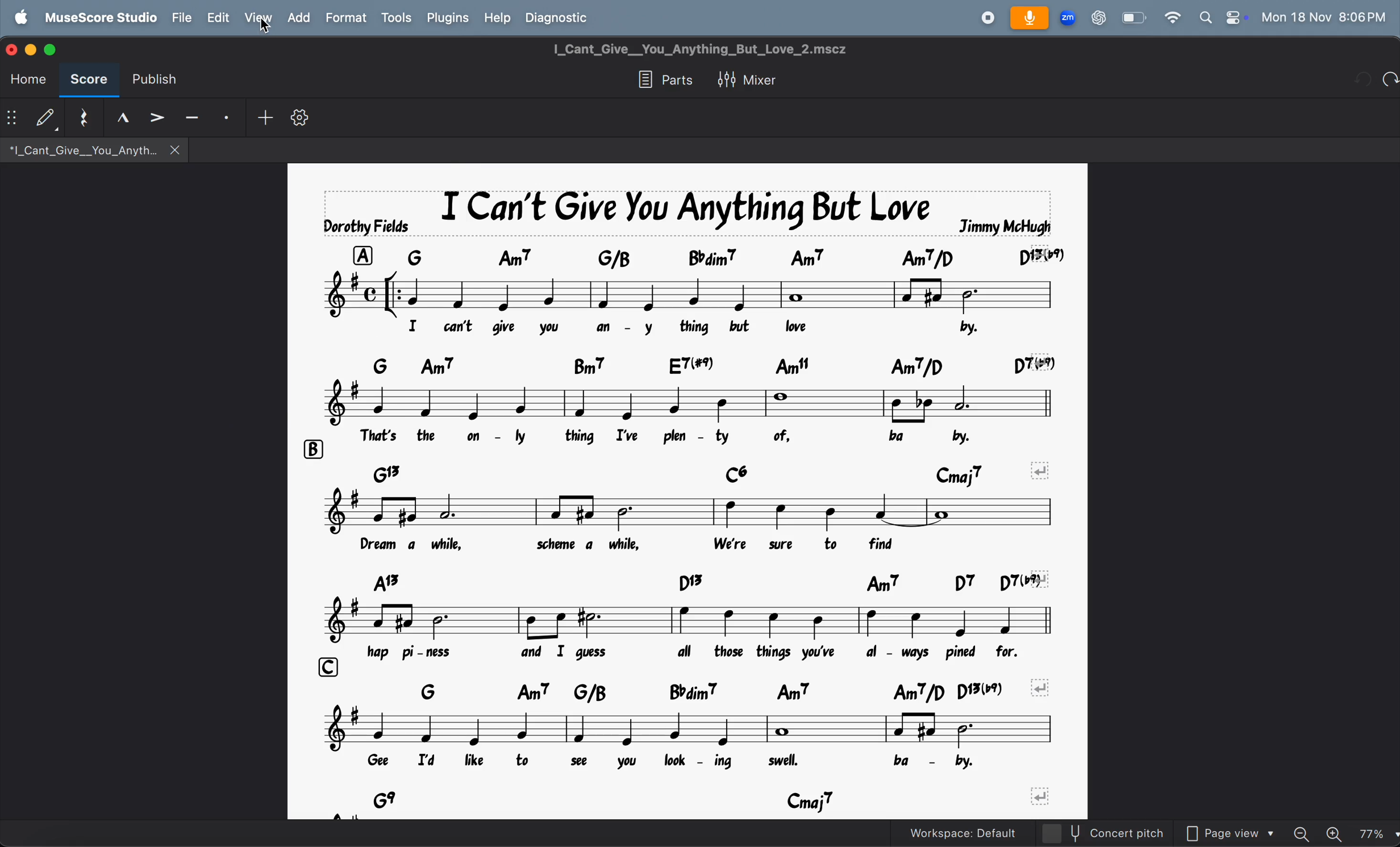  Describe the element at coordinates (1364, 81) in the screenshot. I see `redo` at that location.